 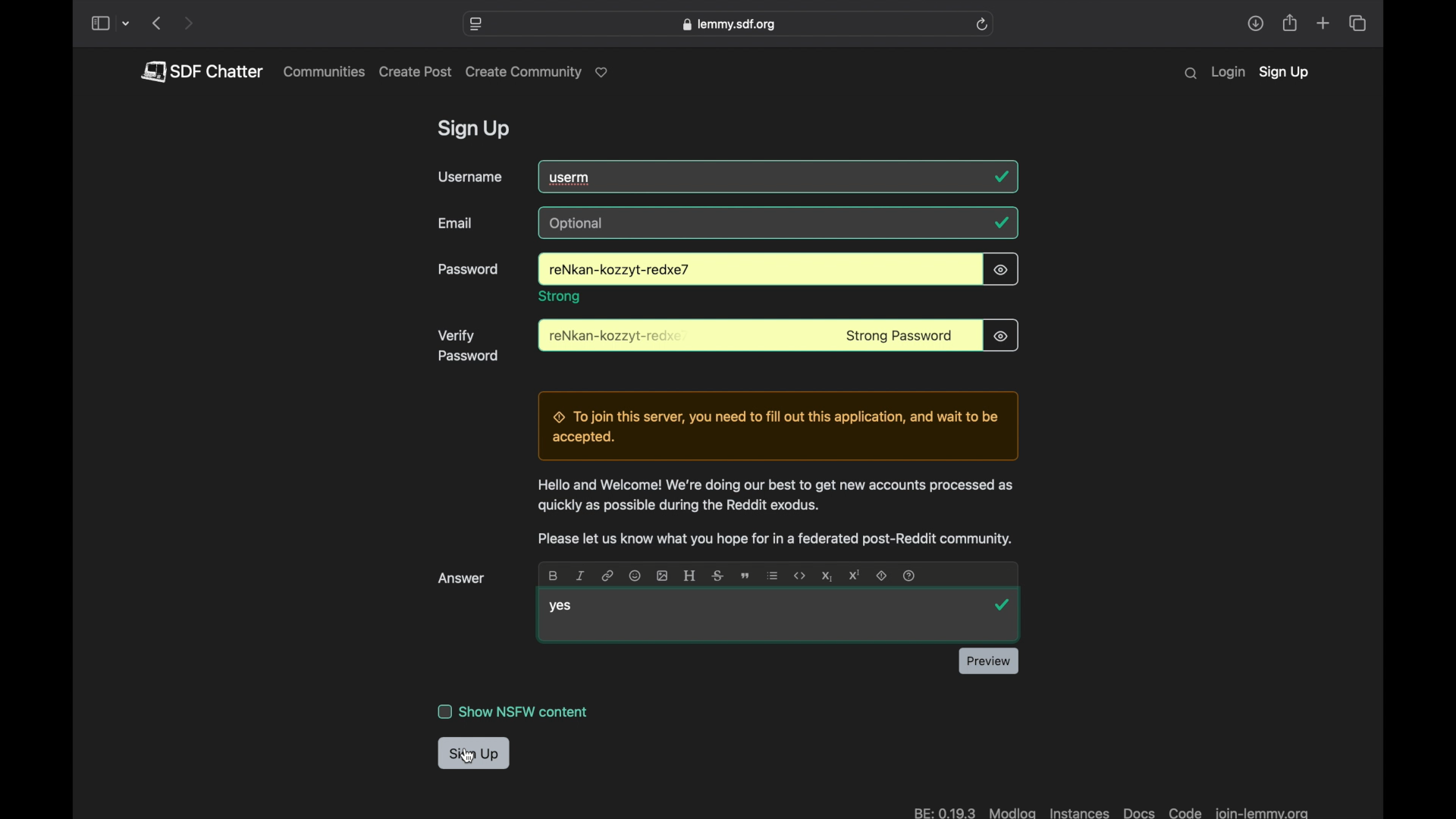 I want to click on tick mark, so click(x=1003, y=177).